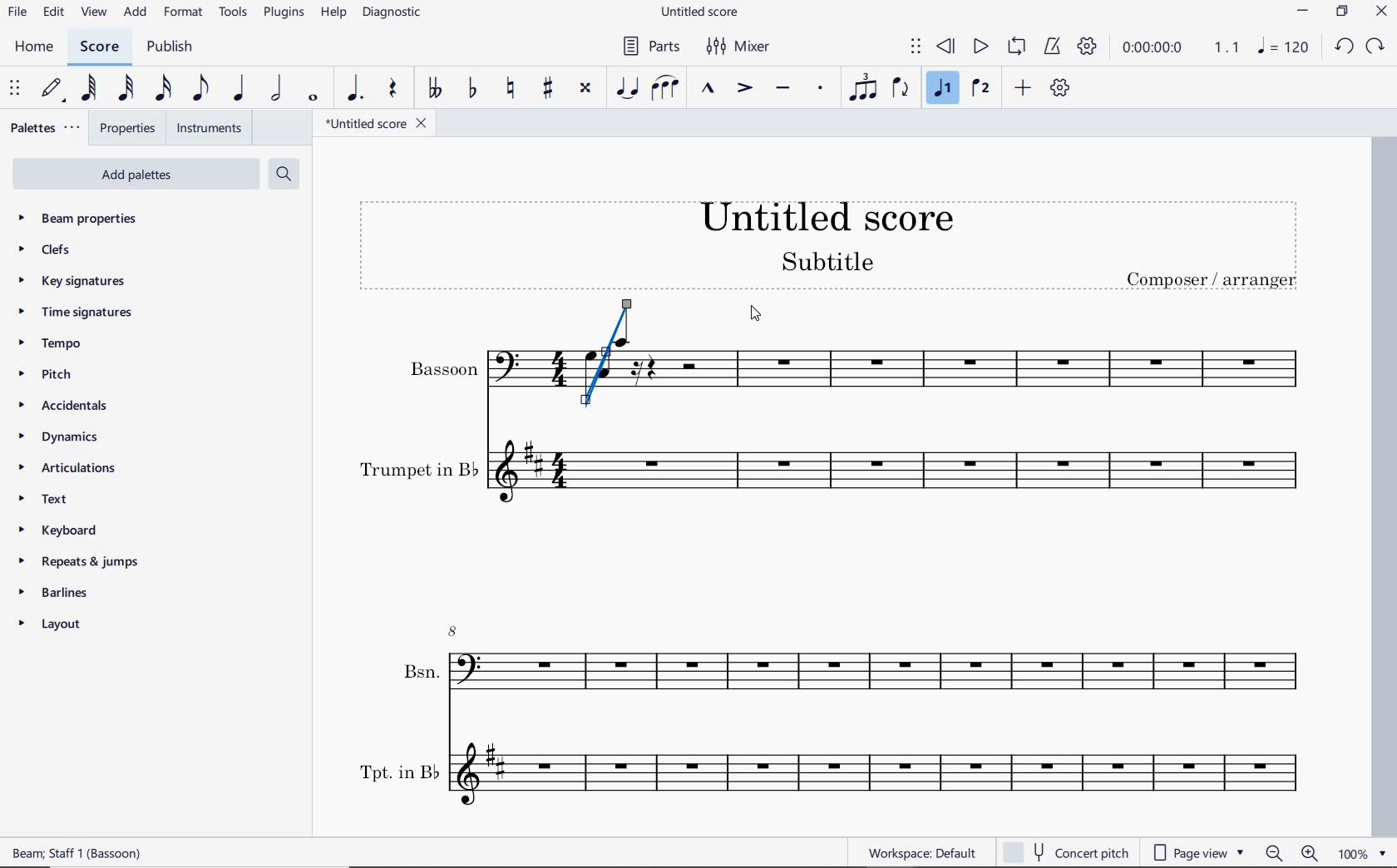 The height and width of the screenshot is (868, 1397). Describe the element at coordinates (1180, 46) in the screenshot. I see `Play time` at that location.